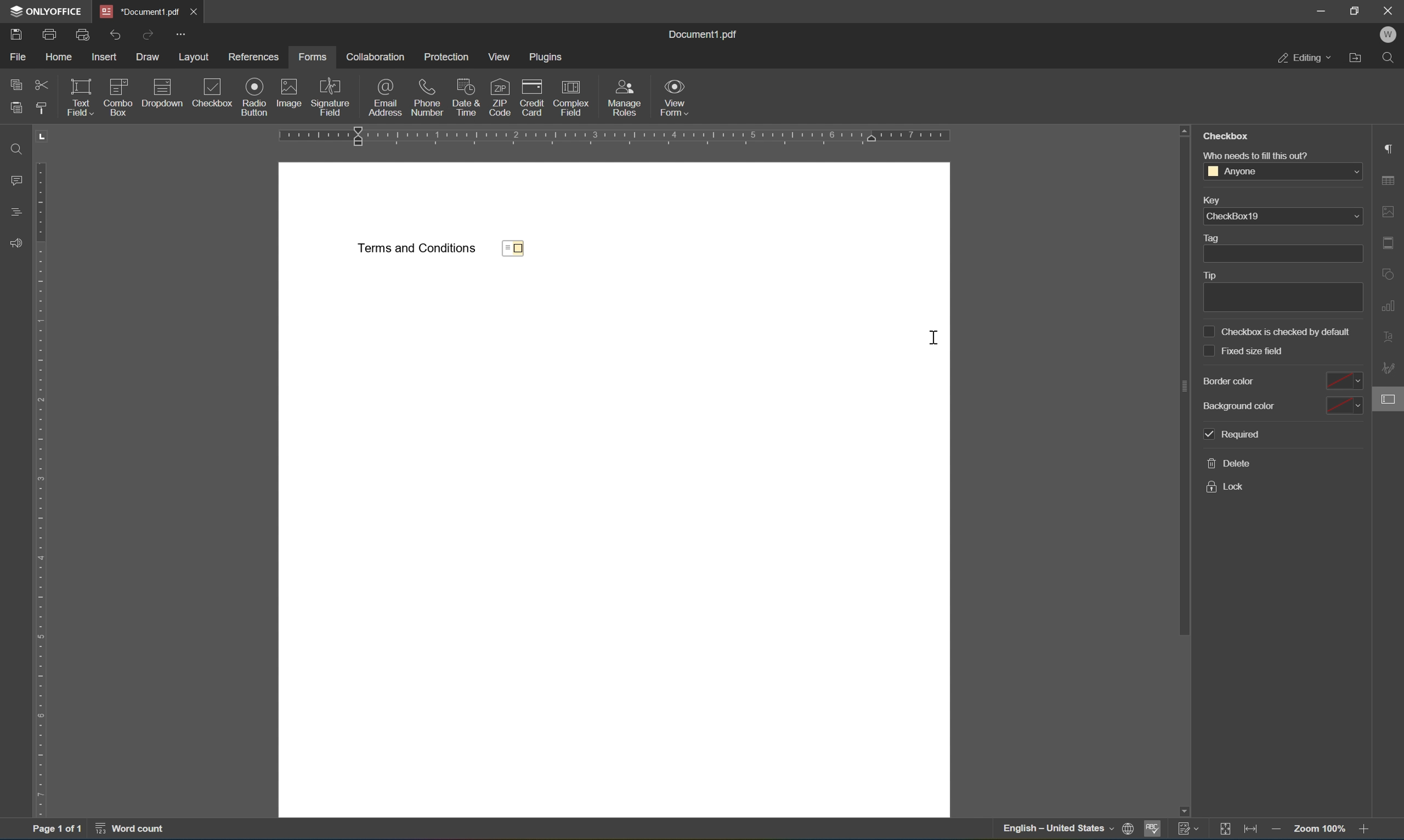 Image resolution: width=1404 pixels, height=840 pixels. What do you see at coordinates (264, 108) in the screenshot?
I see `insert checkbox` at bounding box center [264, 108].